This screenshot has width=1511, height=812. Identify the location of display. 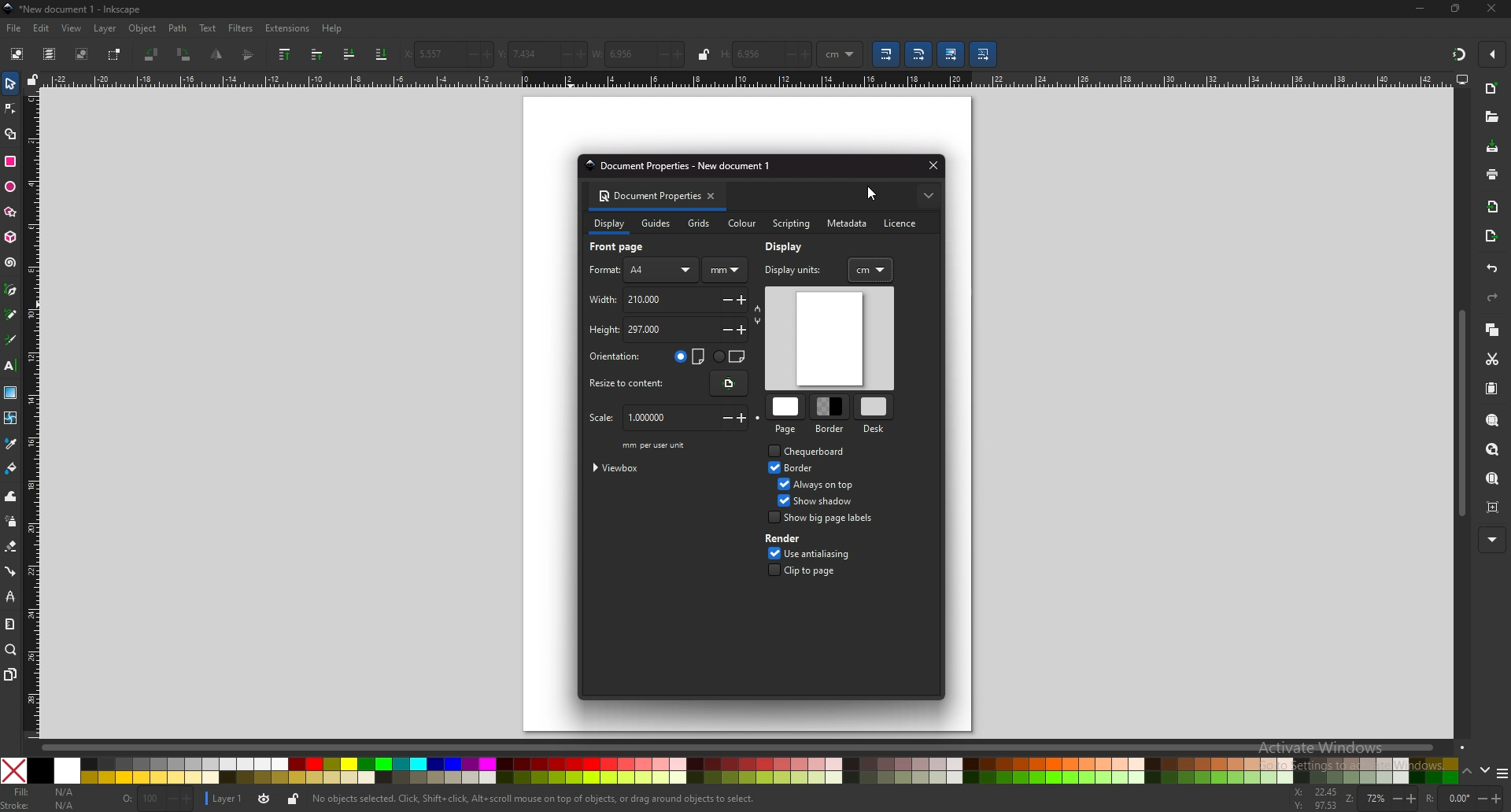
(789, 246).